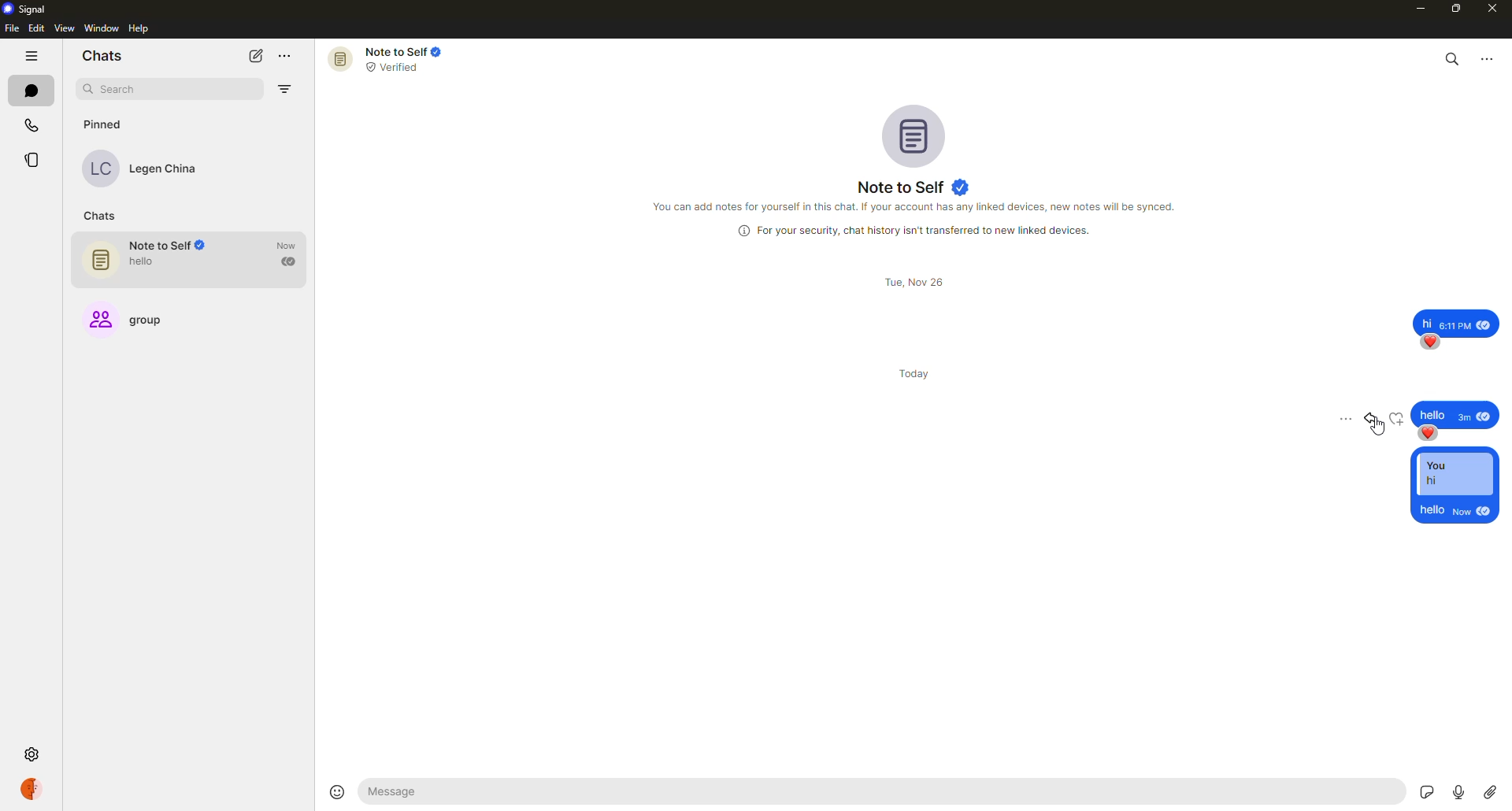 This screenshot has width=1512, height=811. I want to click on reply, so click(1373, 420).